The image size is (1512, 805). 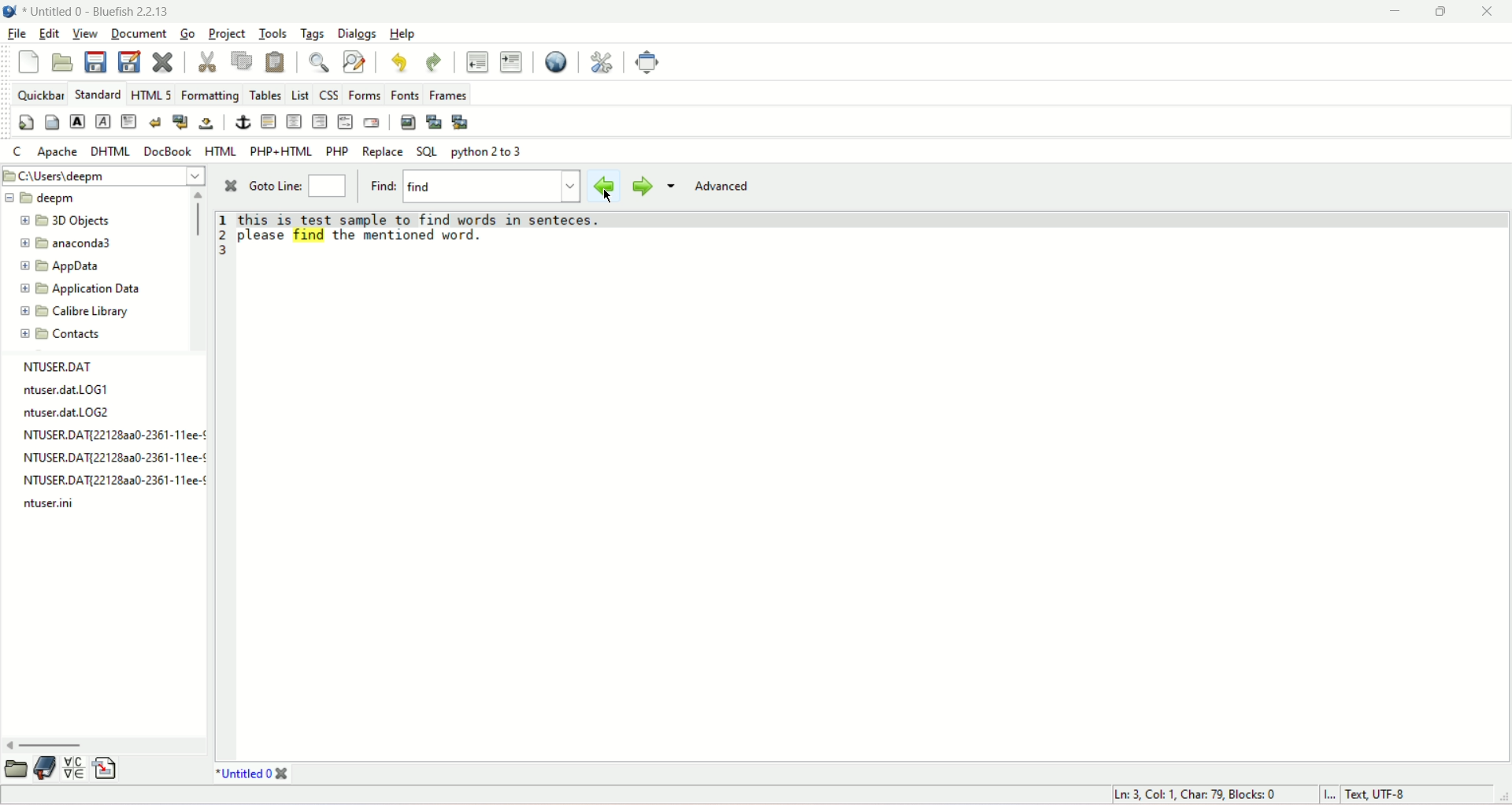 I want to click on undo, so click(x=401, y=61).